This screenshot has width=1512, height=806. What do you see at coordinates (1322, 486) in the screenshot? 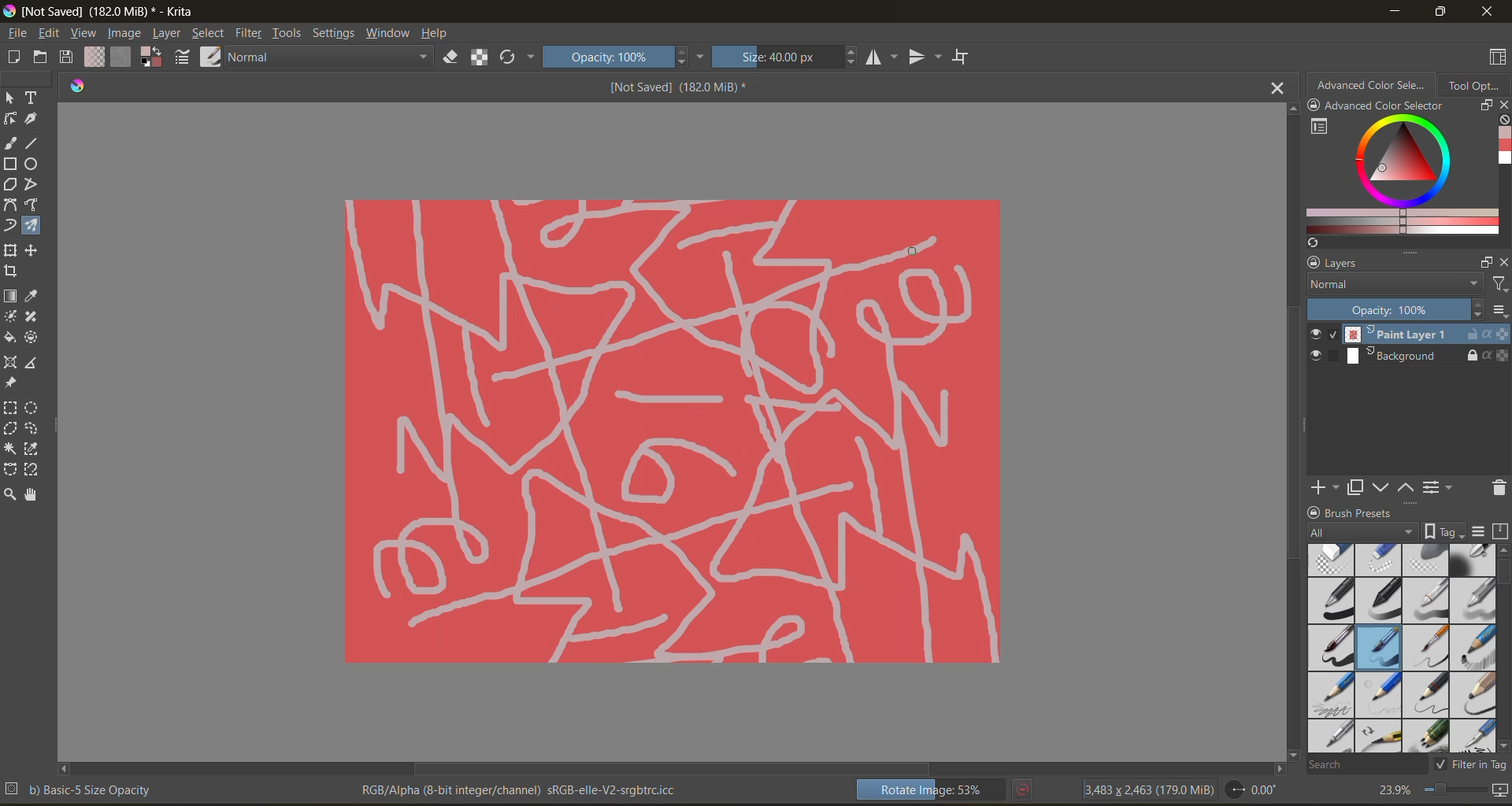
I see `add` at bounding box center [1322, 486].